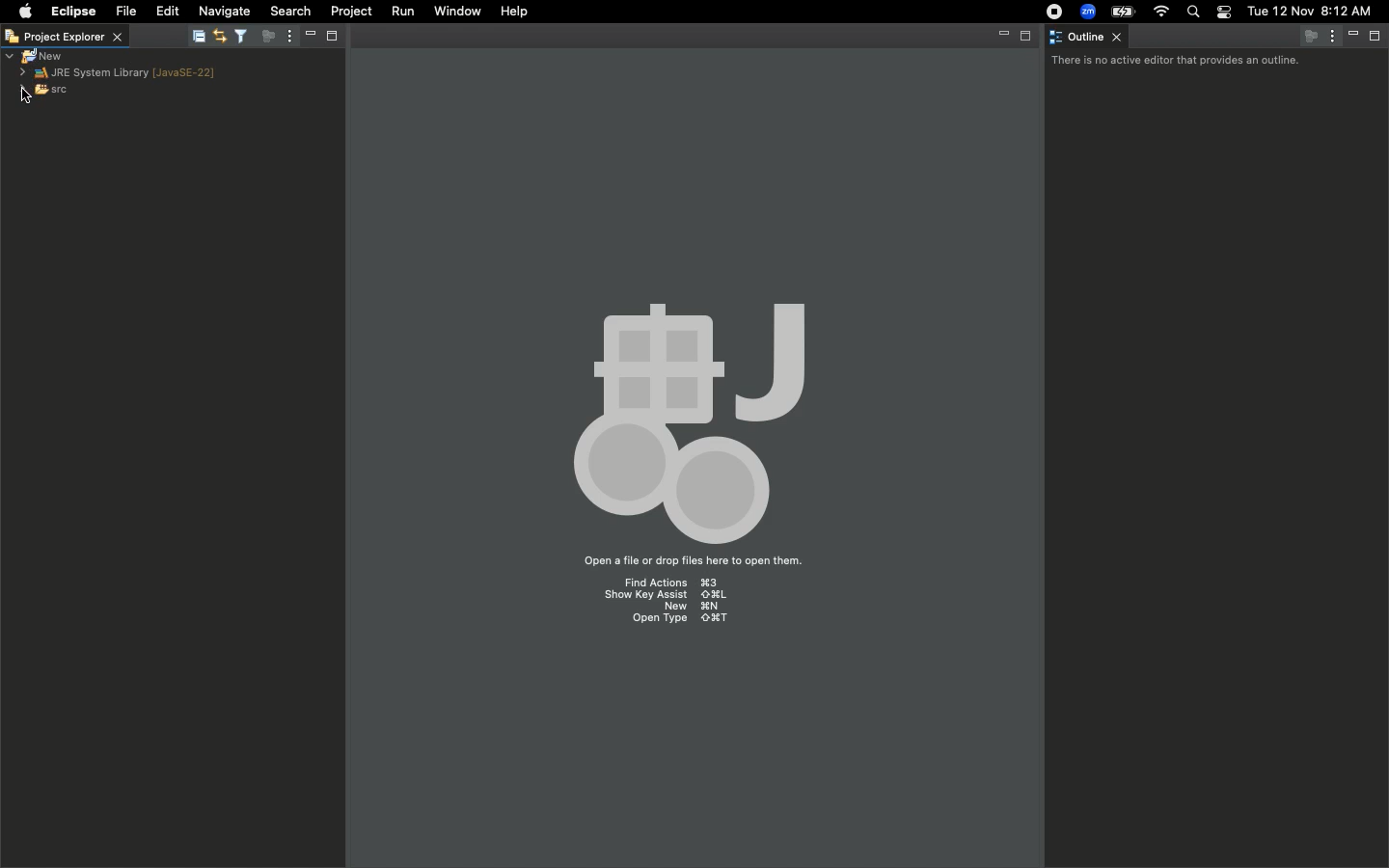 The height and width of the screenshot is (868, 1389). Describe the element at coordinates (73, 13) in the screenshot. I see `Eclipse` at that location.